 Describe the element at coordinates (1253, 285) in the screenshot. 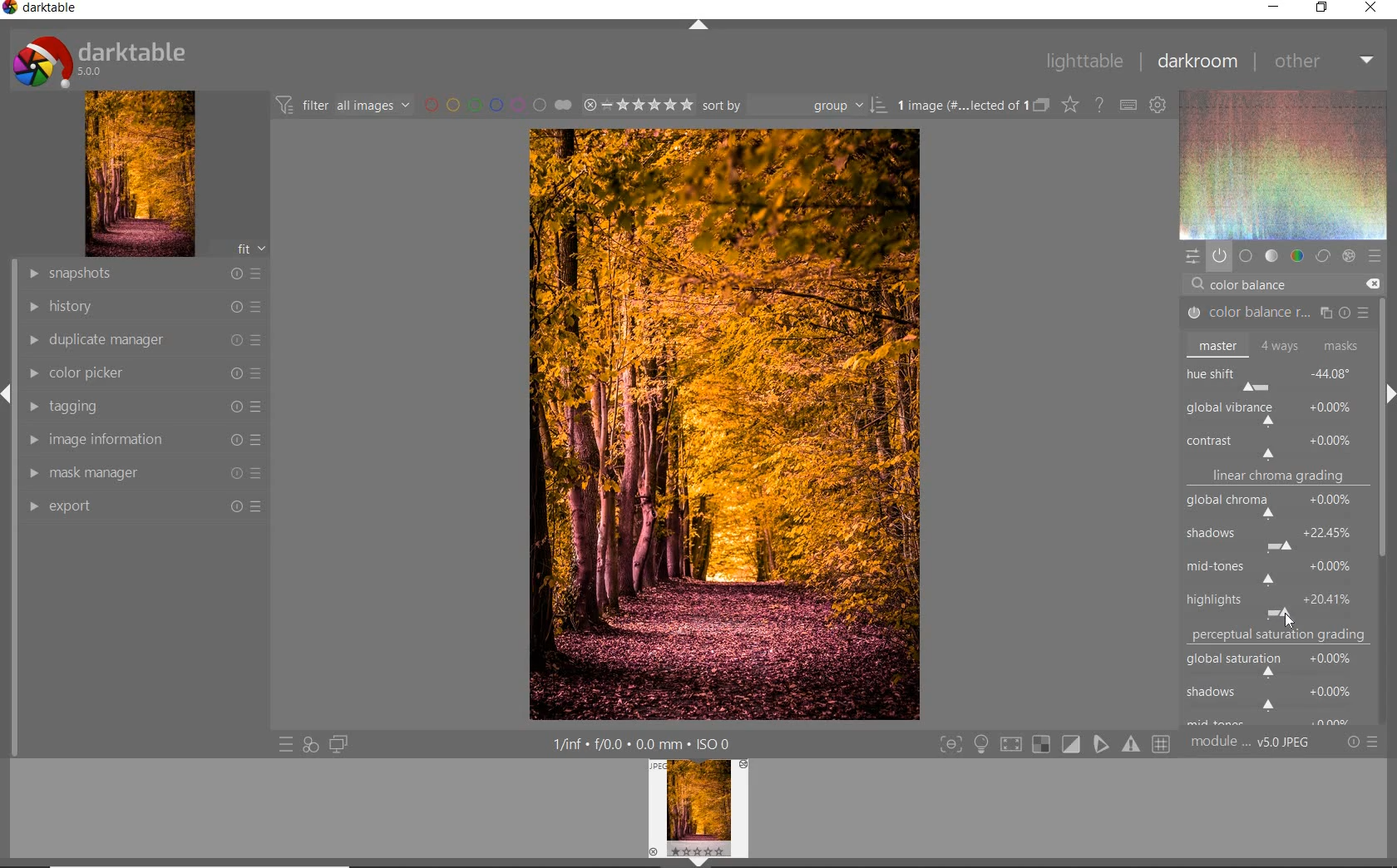

I see `COLOR BALANCE` at that location.